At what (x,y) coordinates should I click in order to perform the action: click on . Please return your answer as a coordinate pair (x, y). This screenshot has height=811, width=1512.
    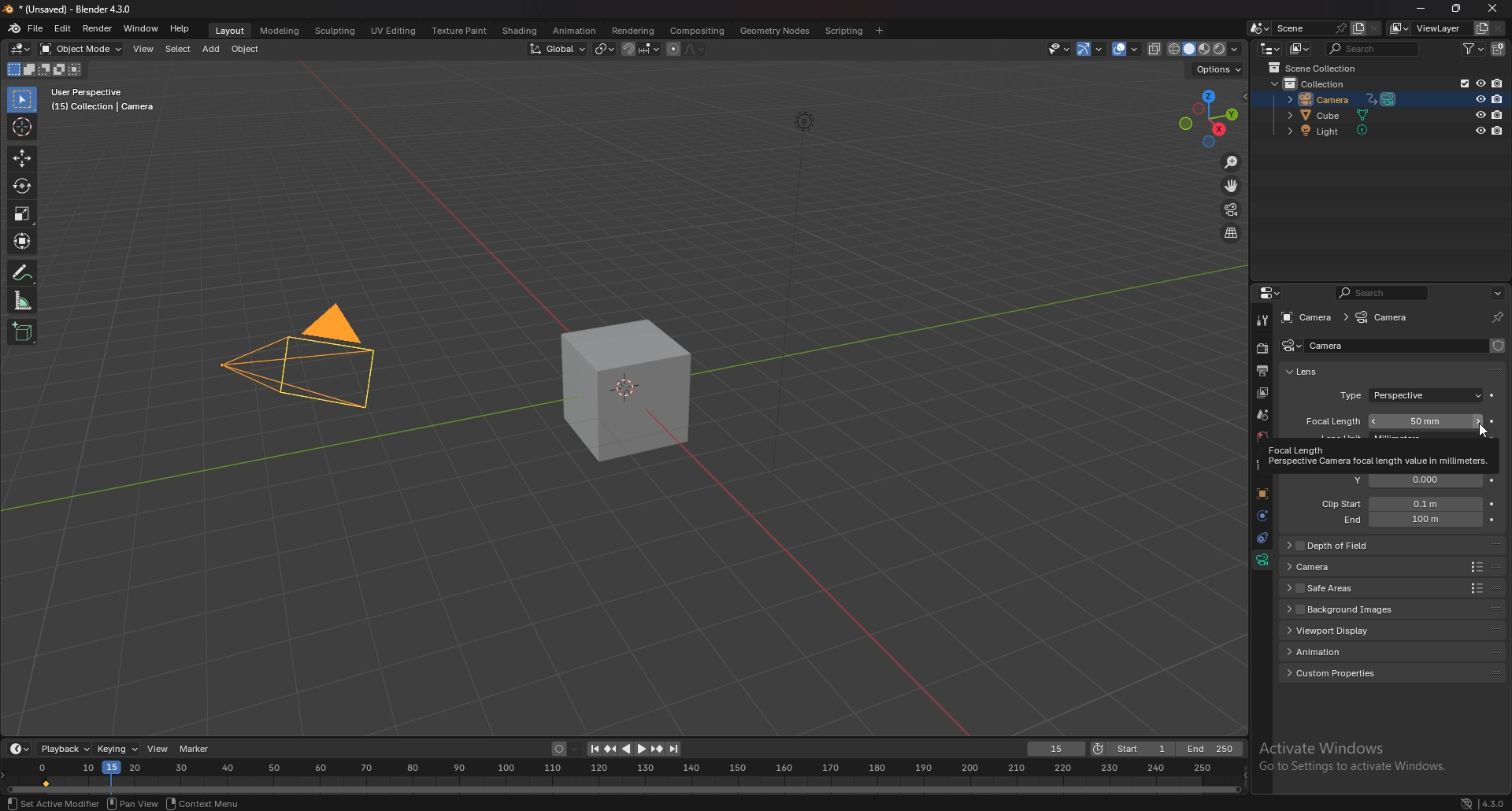
    Looking at the image, I should click on (784, 294).